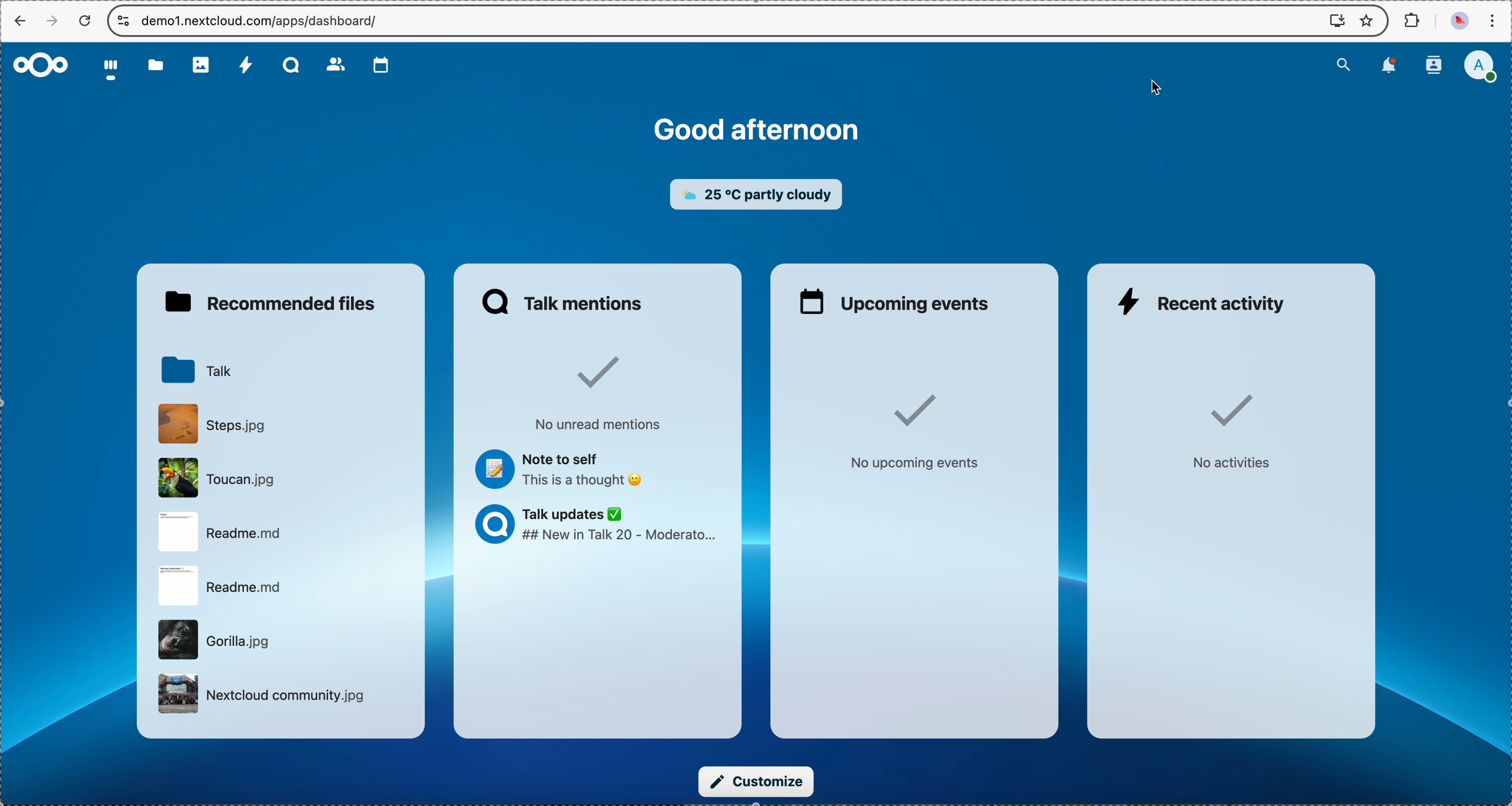  I want to click on profile picture, so click(1458, 23).